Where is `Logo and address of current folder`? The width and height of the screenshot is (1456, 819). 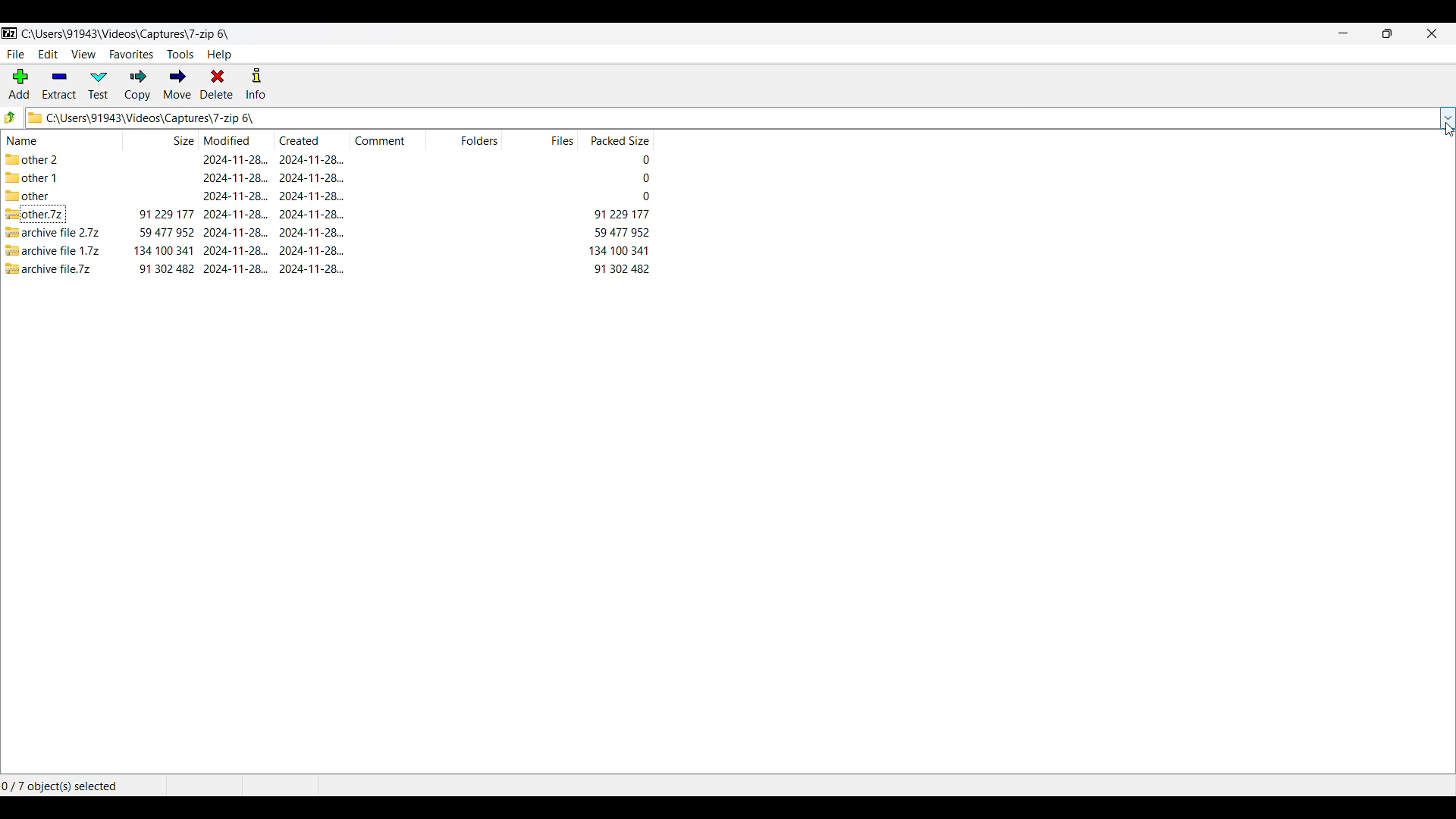
Logo and address of current folder is located at coordinates (731, 118).